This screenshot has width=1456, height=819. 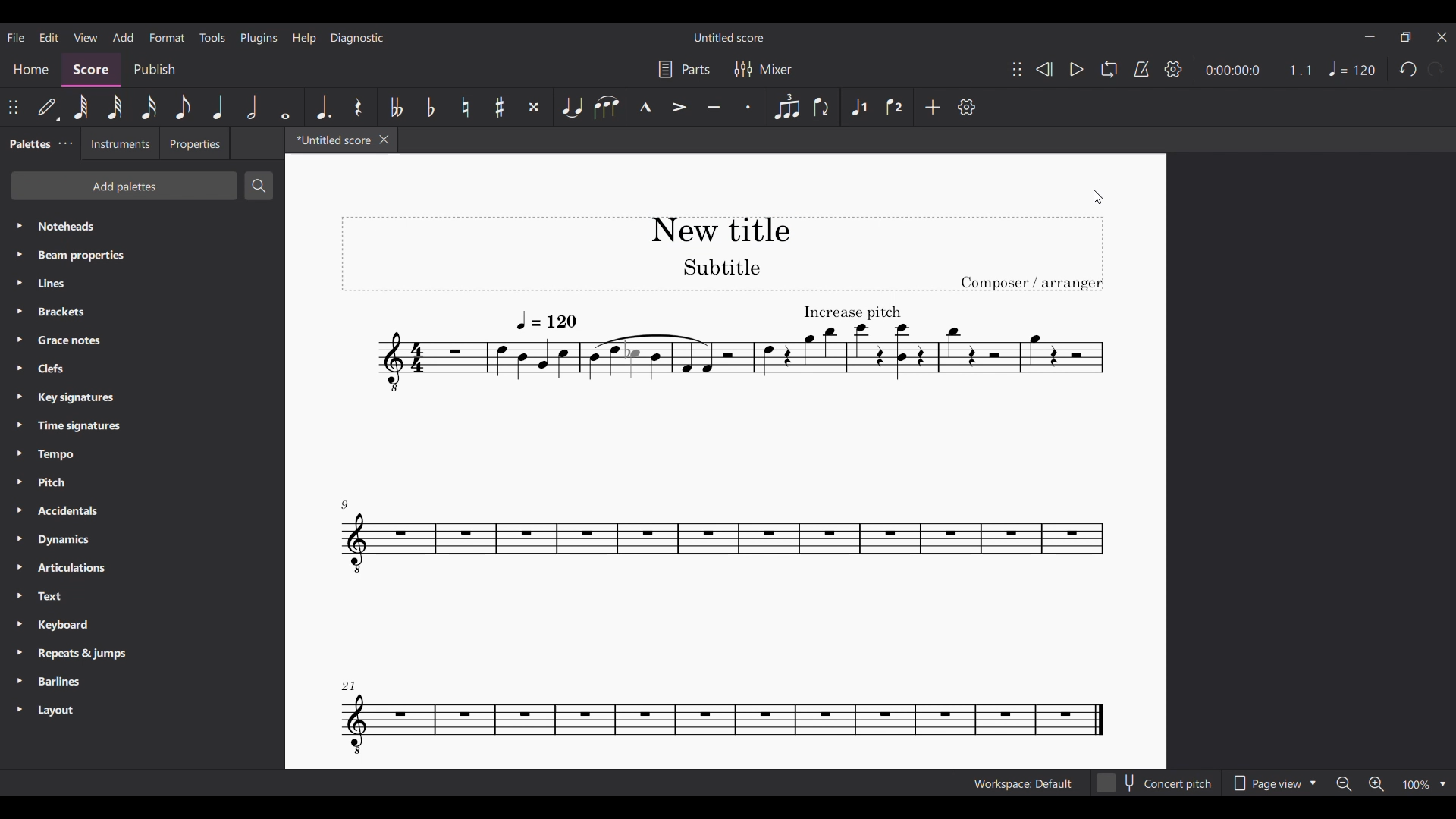 I want to click on Tenuto, so click(x=714, y=107).